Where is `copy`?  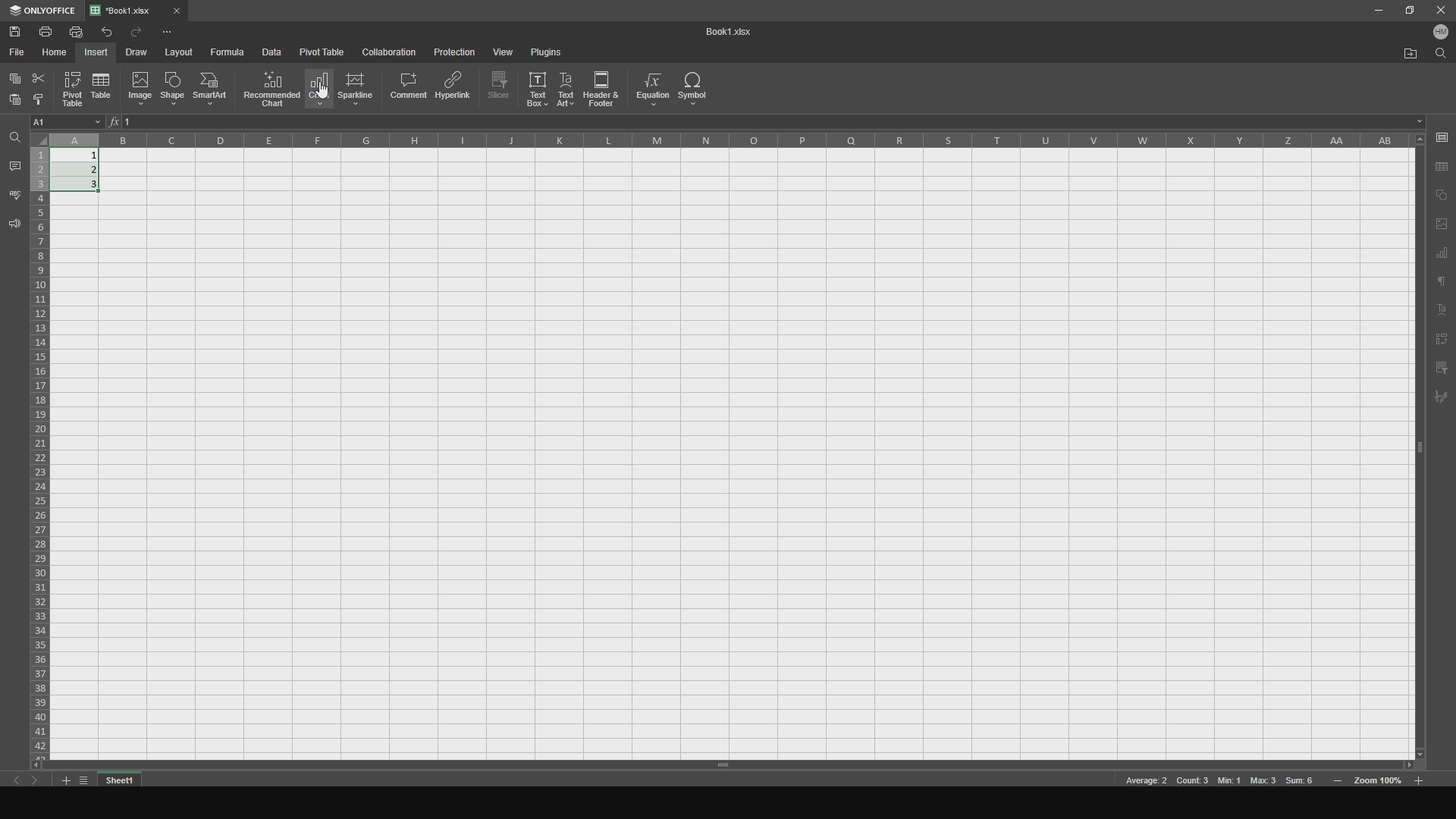
copy is located at coordinates (1442, 194).